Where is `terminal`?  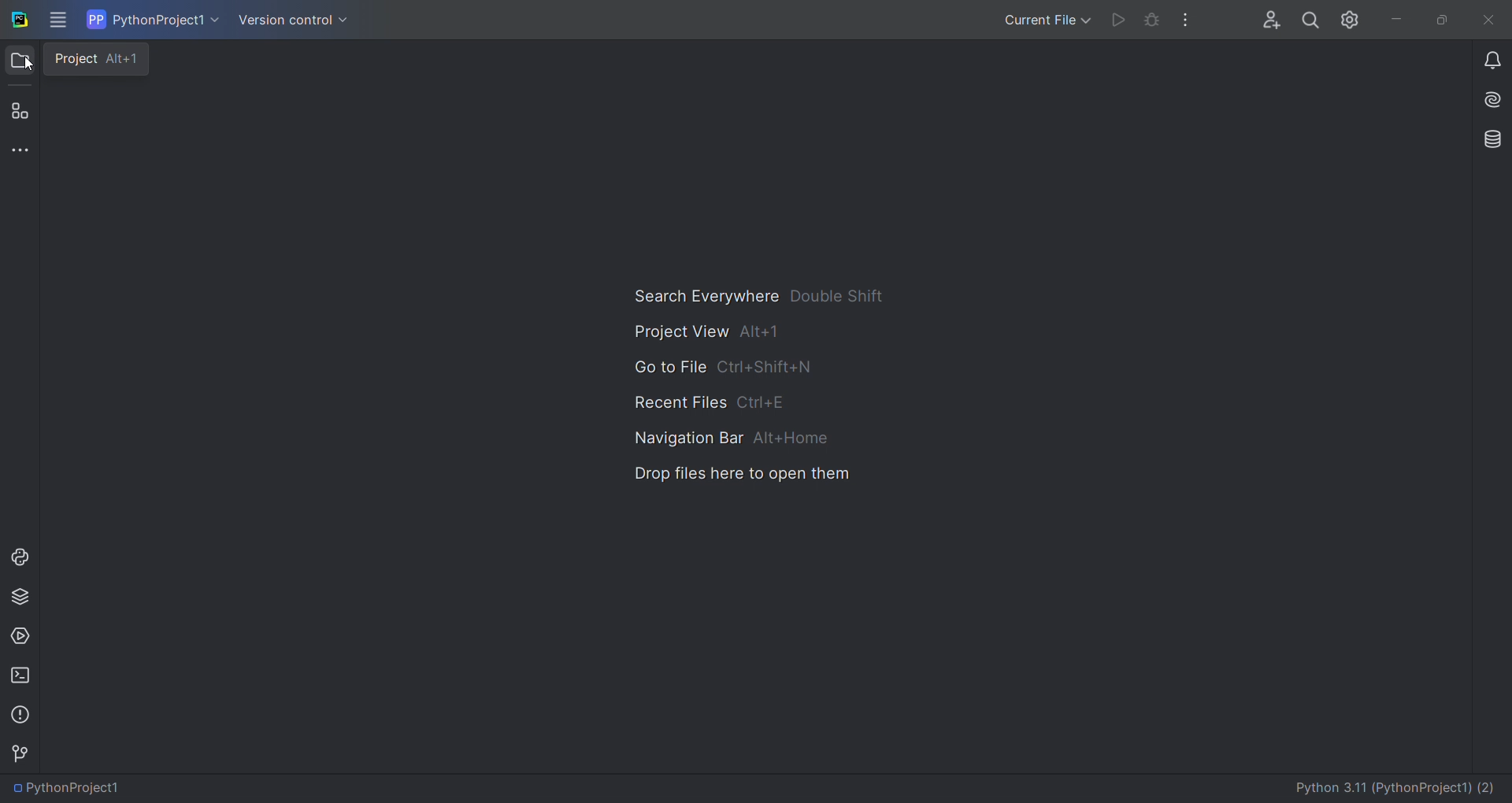
terminal is located at coordinates (19, 675).